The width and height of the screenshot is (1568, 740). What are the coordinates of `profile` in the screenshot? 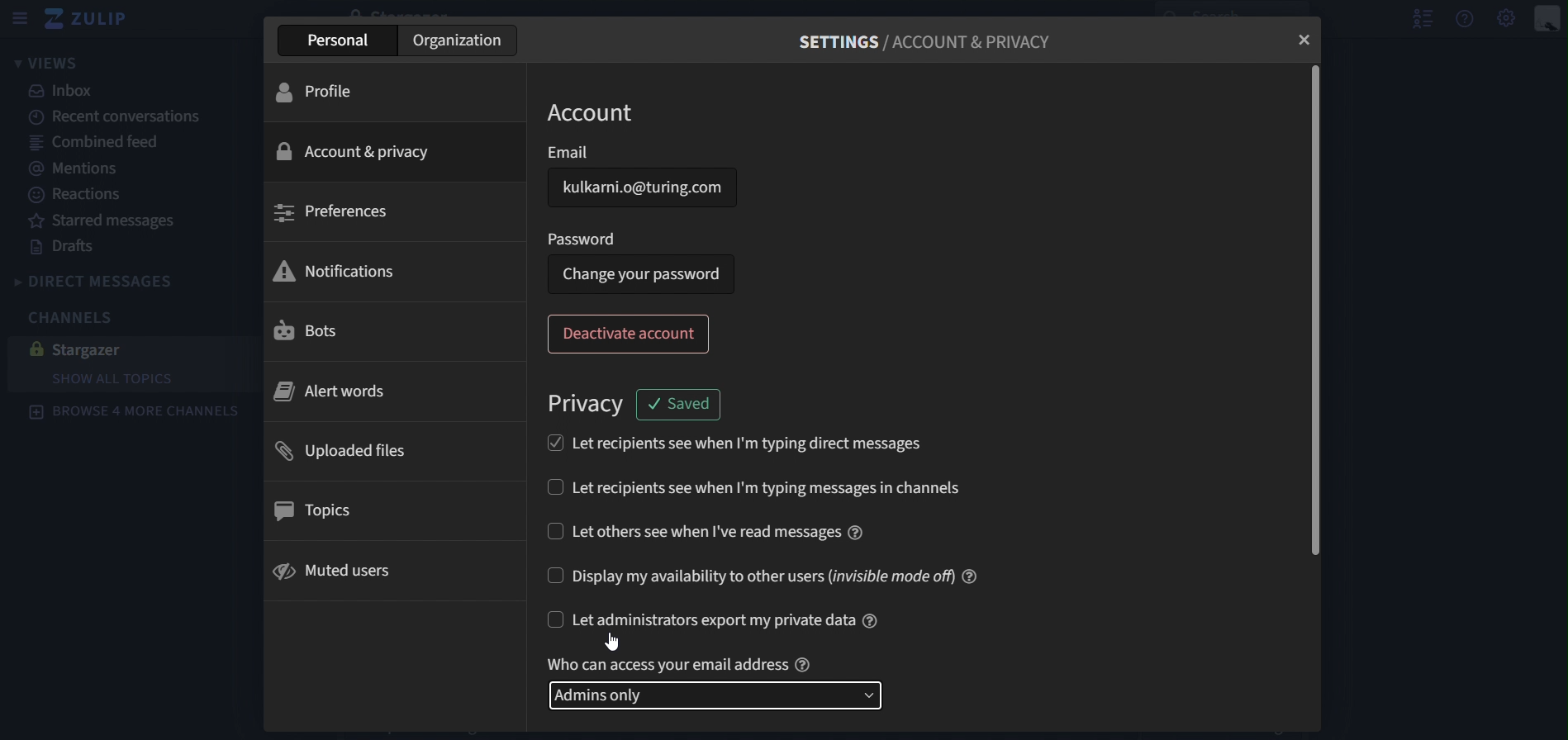 It's located at (316, 95).